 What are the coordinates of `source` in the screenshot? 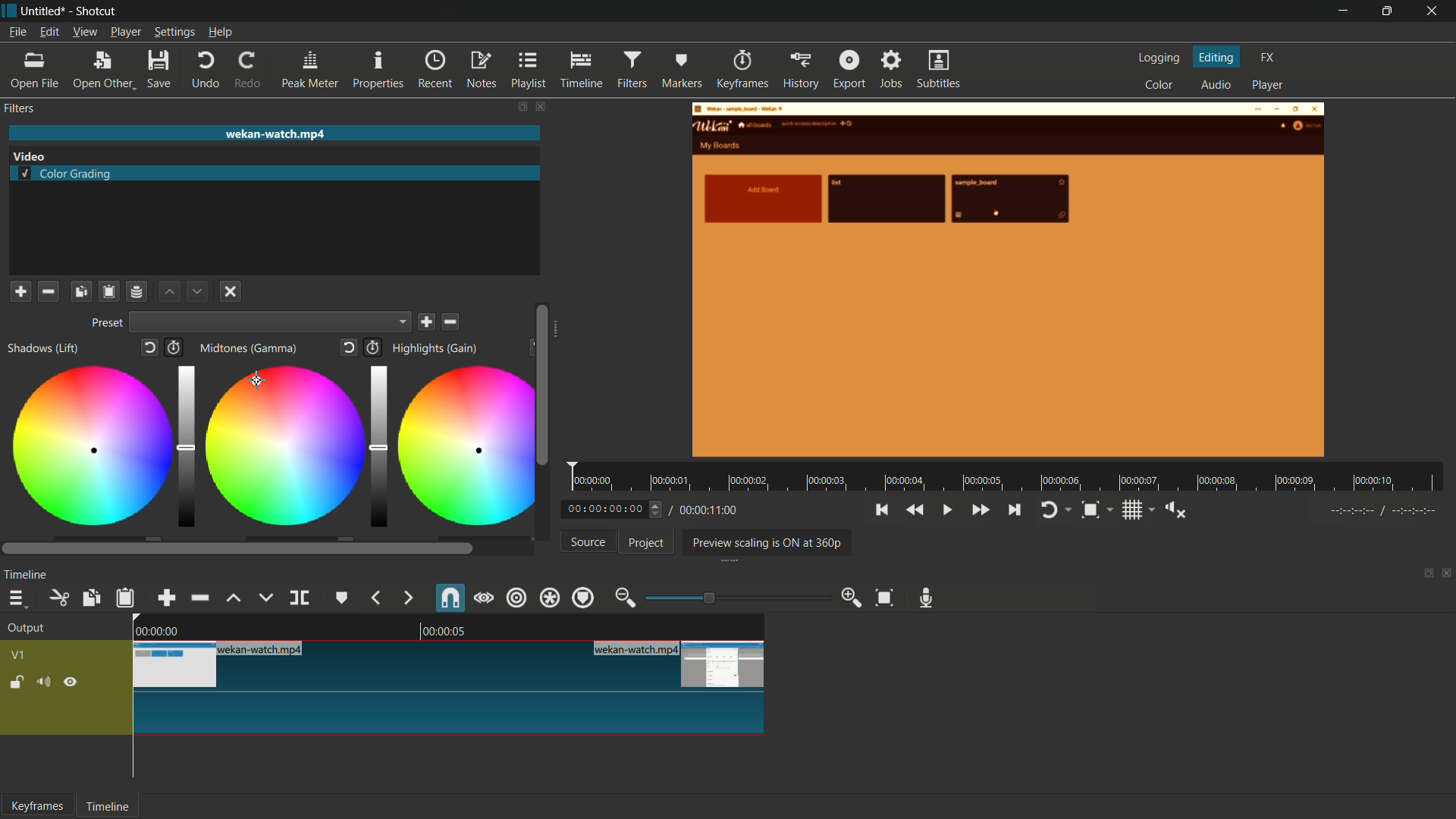 It's located at (588, 541).